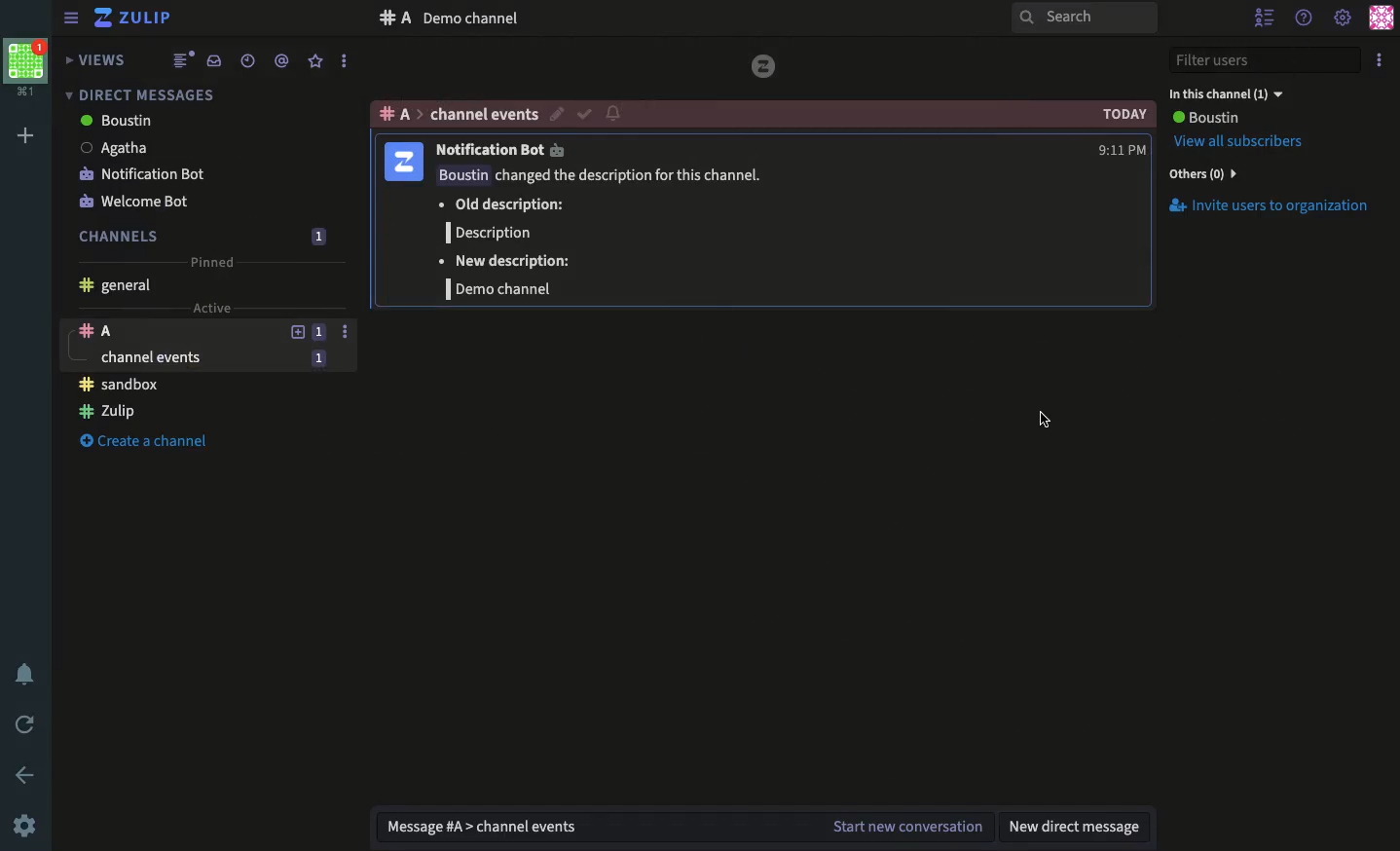  Describe the element at coordinates (1124, 114) in the screenshot. I see `Time` at that location.